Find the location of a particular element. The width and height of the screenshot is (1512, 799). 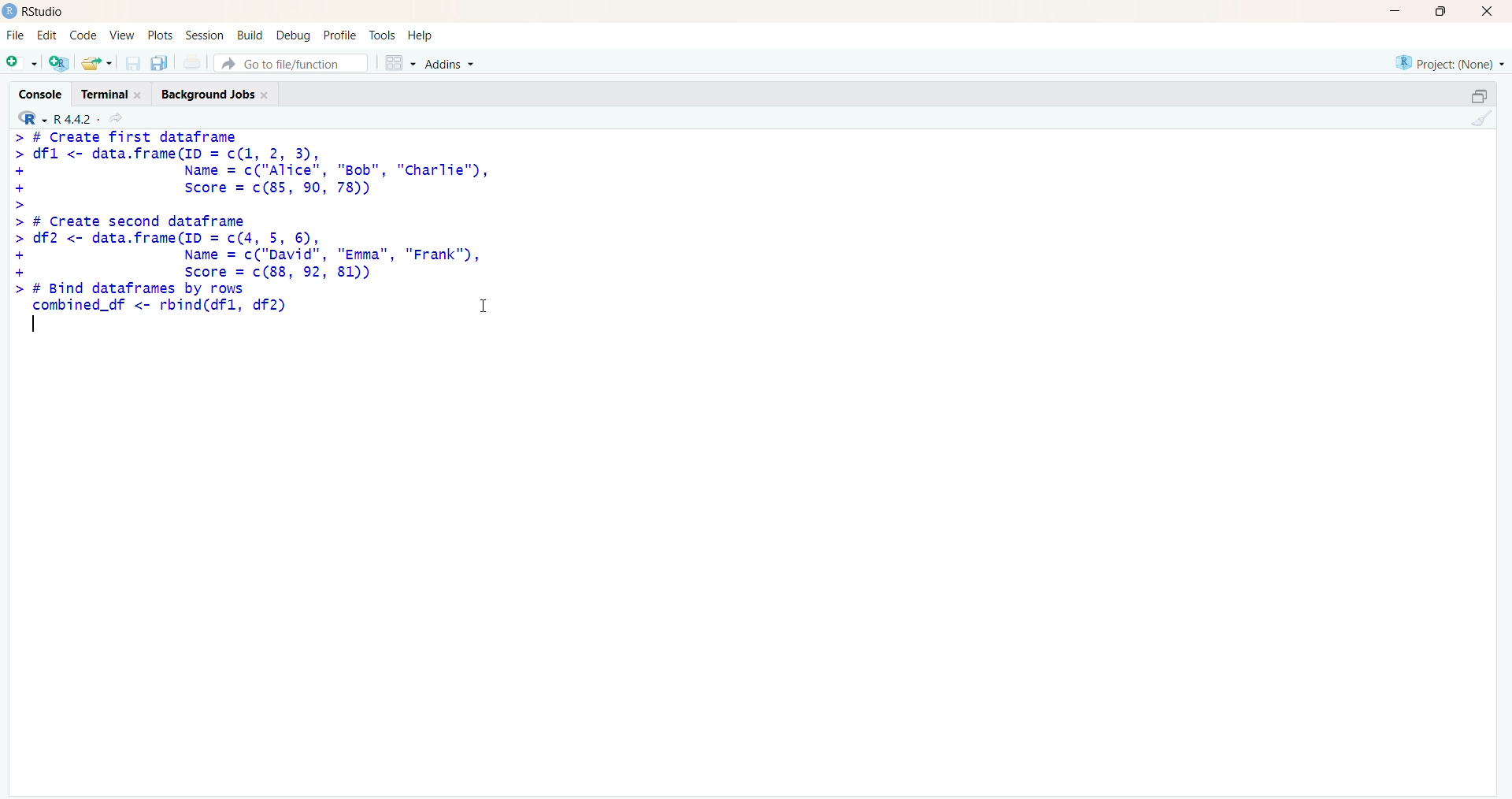

Edit is located at coordinates (50, 34).